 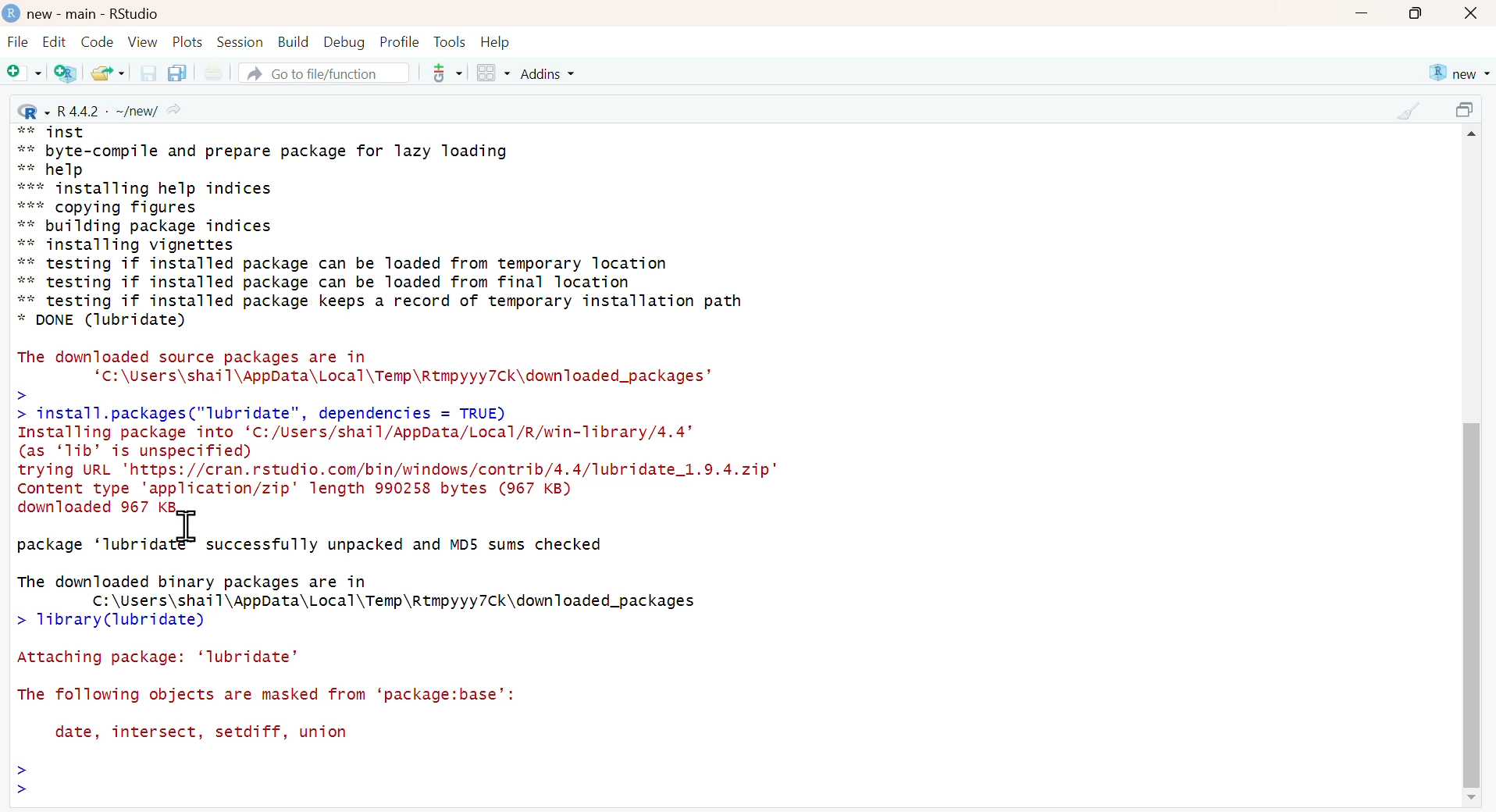 I want to click on maximize, so click(x=1416, y=13).